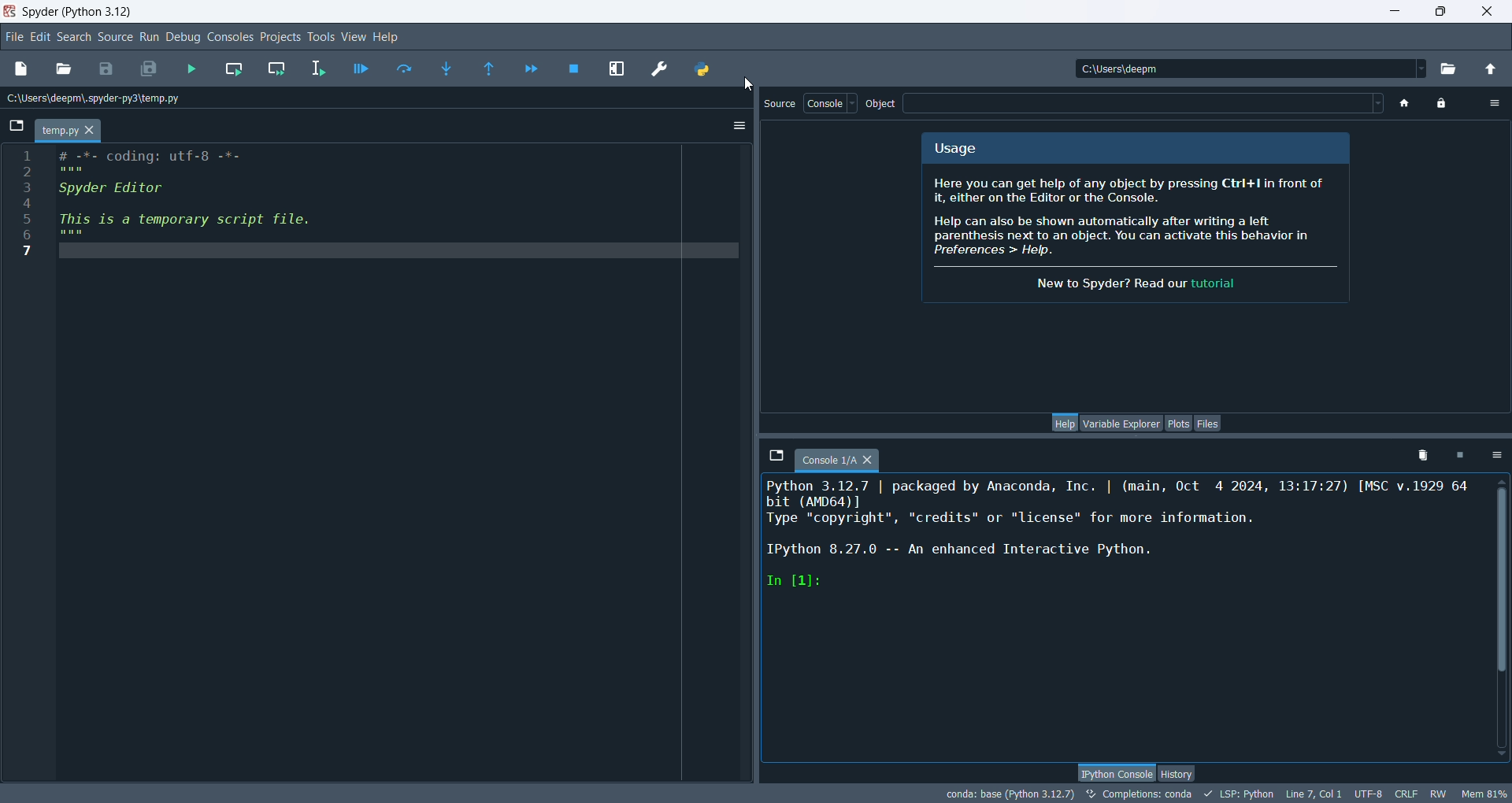  I want to click on source, so click(778, 102).